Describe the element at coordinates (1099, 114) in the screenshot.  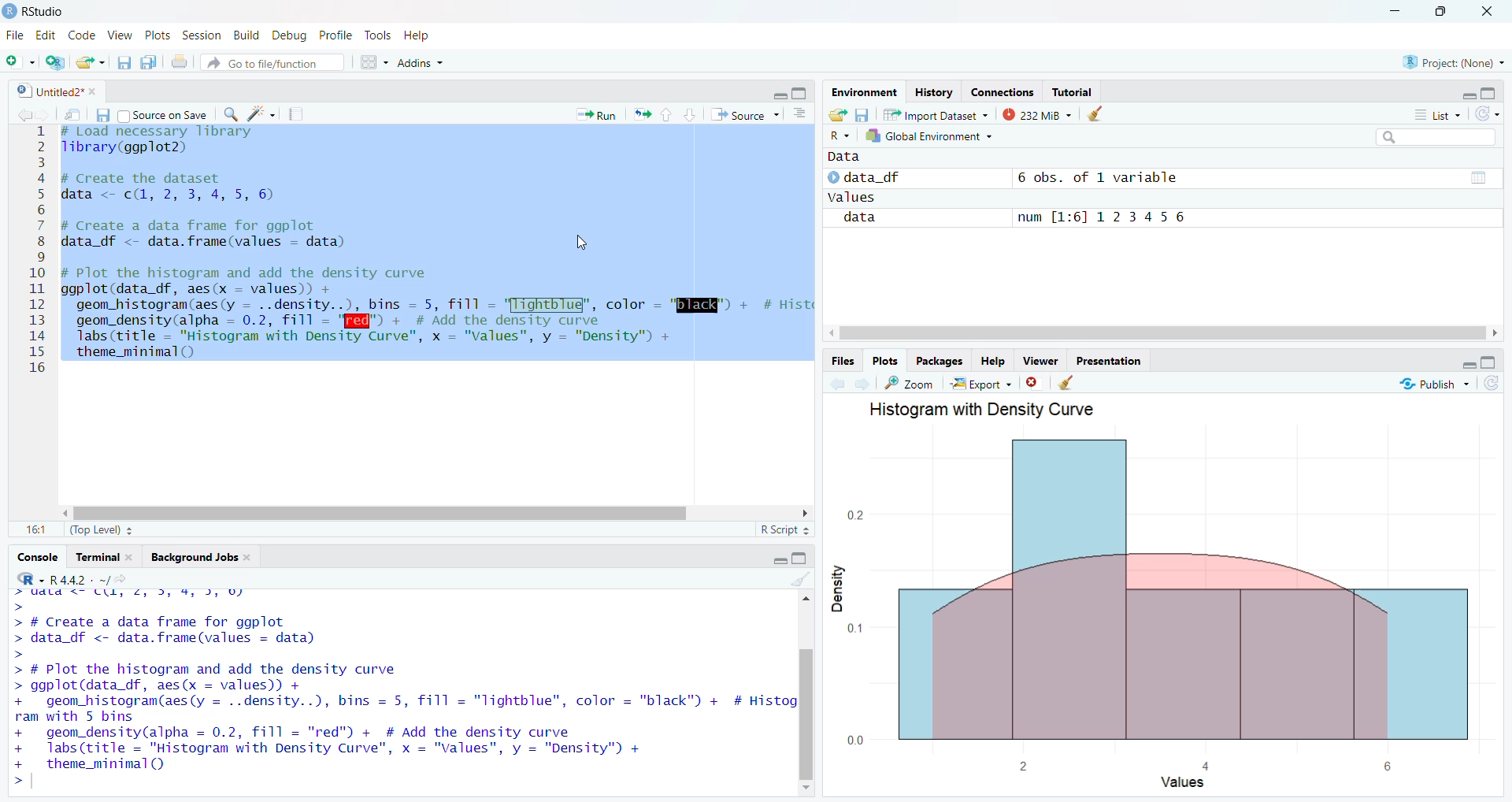
I see `clear objects from the workspace` at that location.